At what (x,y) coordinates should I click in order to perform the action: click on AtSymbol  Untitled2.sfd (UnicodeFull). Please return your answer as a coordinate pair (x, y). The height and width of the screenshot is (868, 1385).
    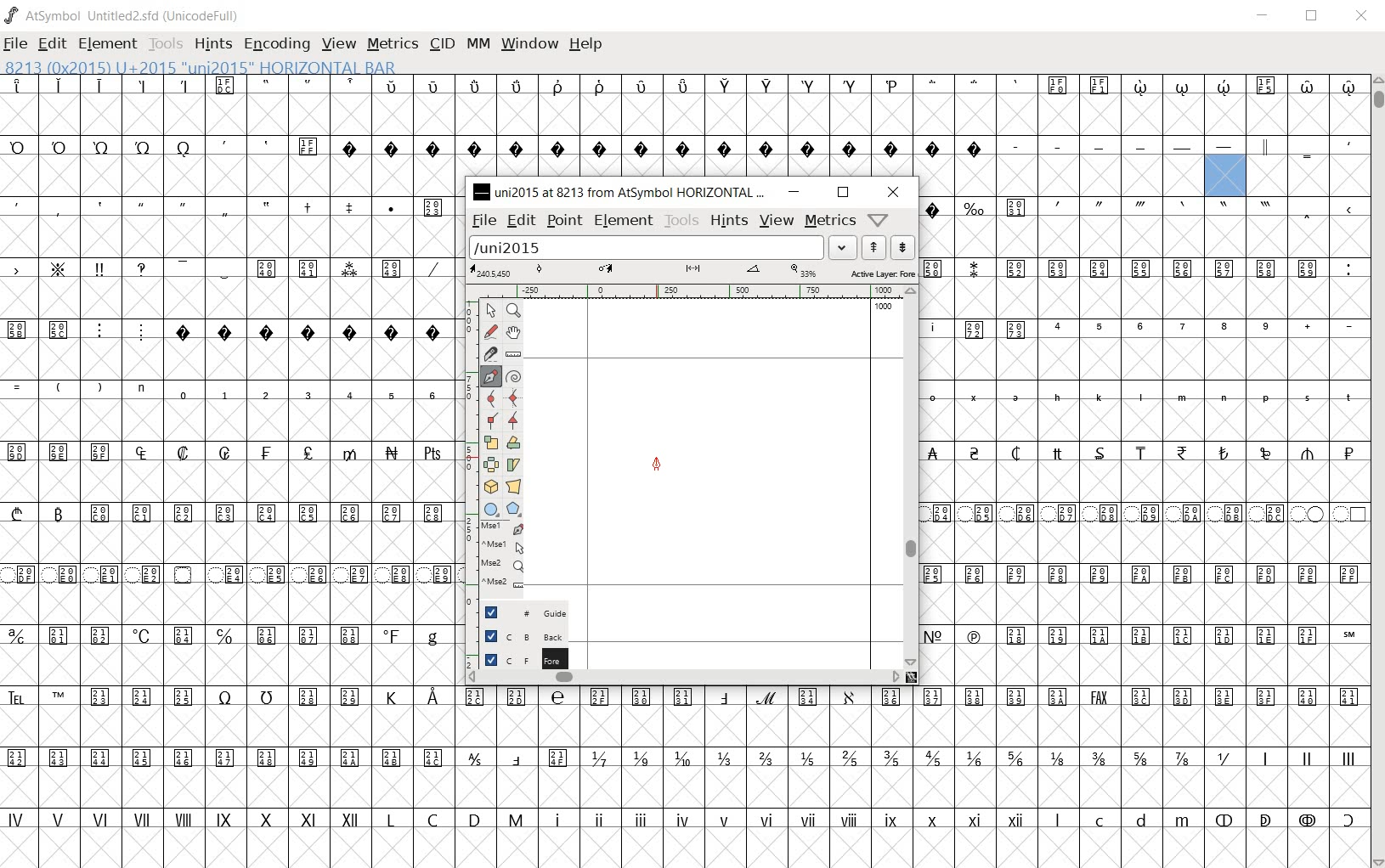
    Looking at the image, I should click on (123, 15).